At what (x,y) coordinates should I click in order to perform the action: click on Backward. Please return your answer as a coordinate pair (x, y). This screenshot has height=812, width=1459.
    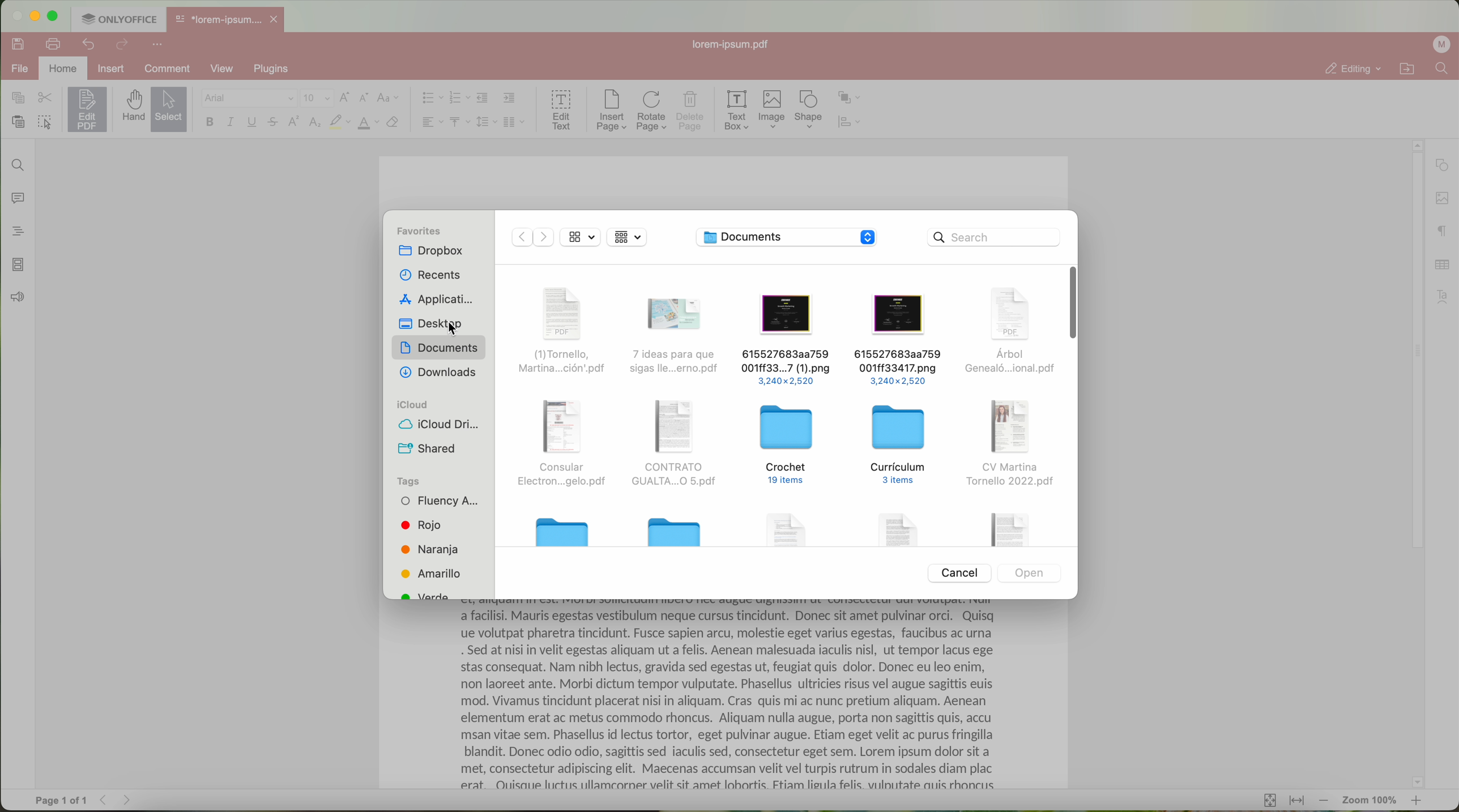
    Looking at the image, I should click on (107, 800).